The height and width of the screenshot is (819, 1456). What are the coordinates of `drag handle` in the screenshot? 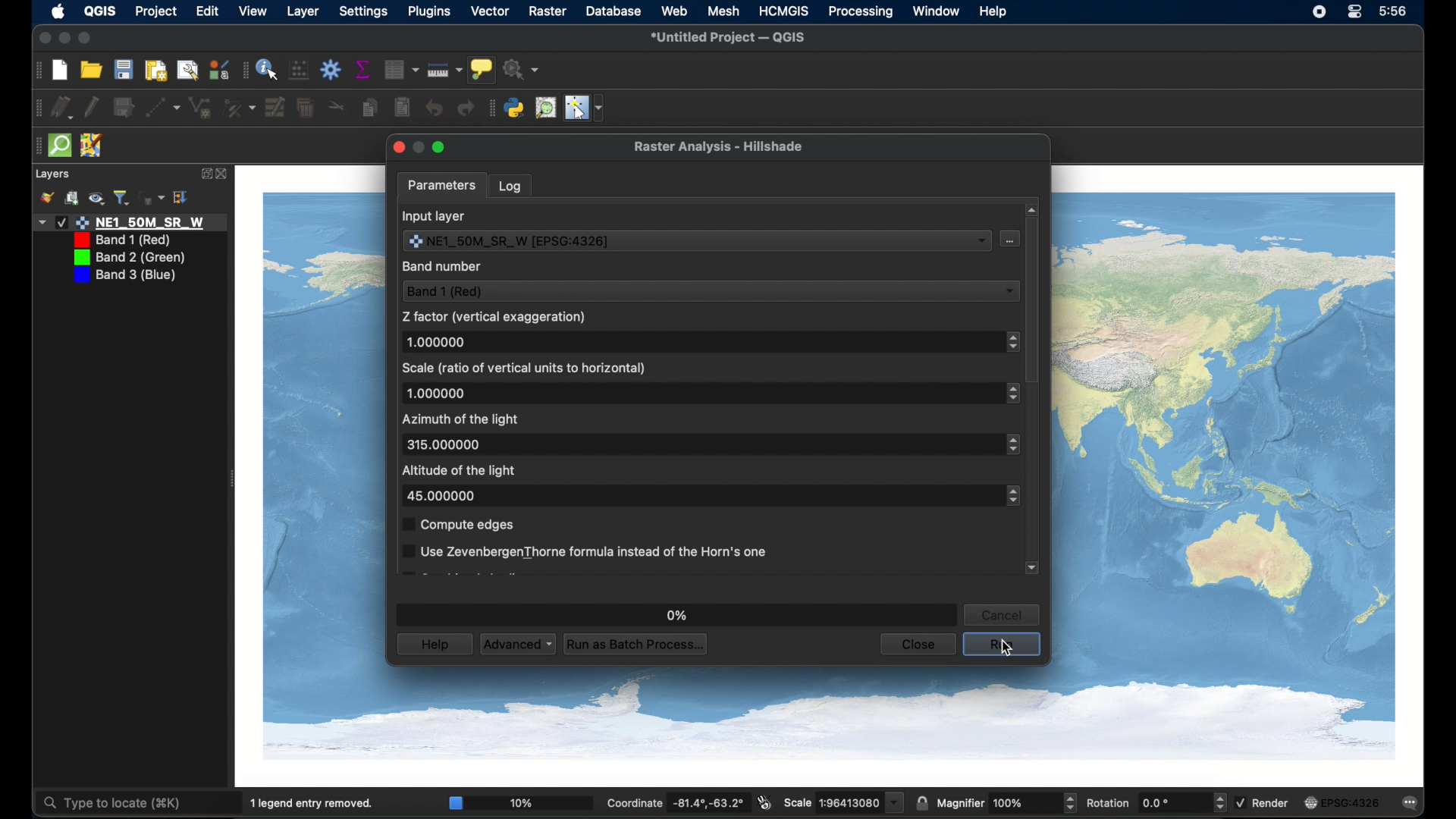 It's located at (243, 70).